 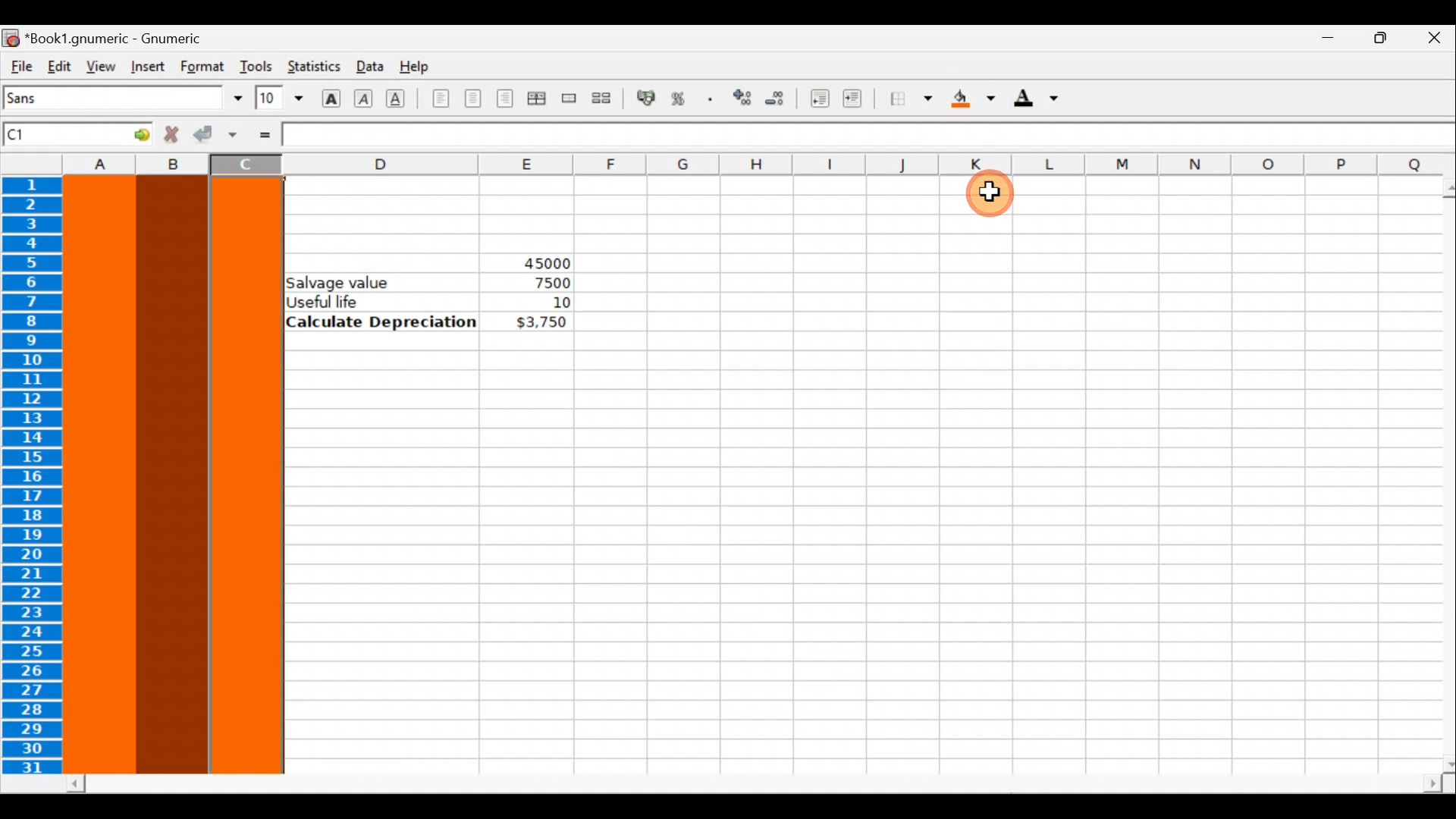 What do you see at coordinates (1433, 40) in the screenshot?
I see `Close` at bounding box center [1433, 40].